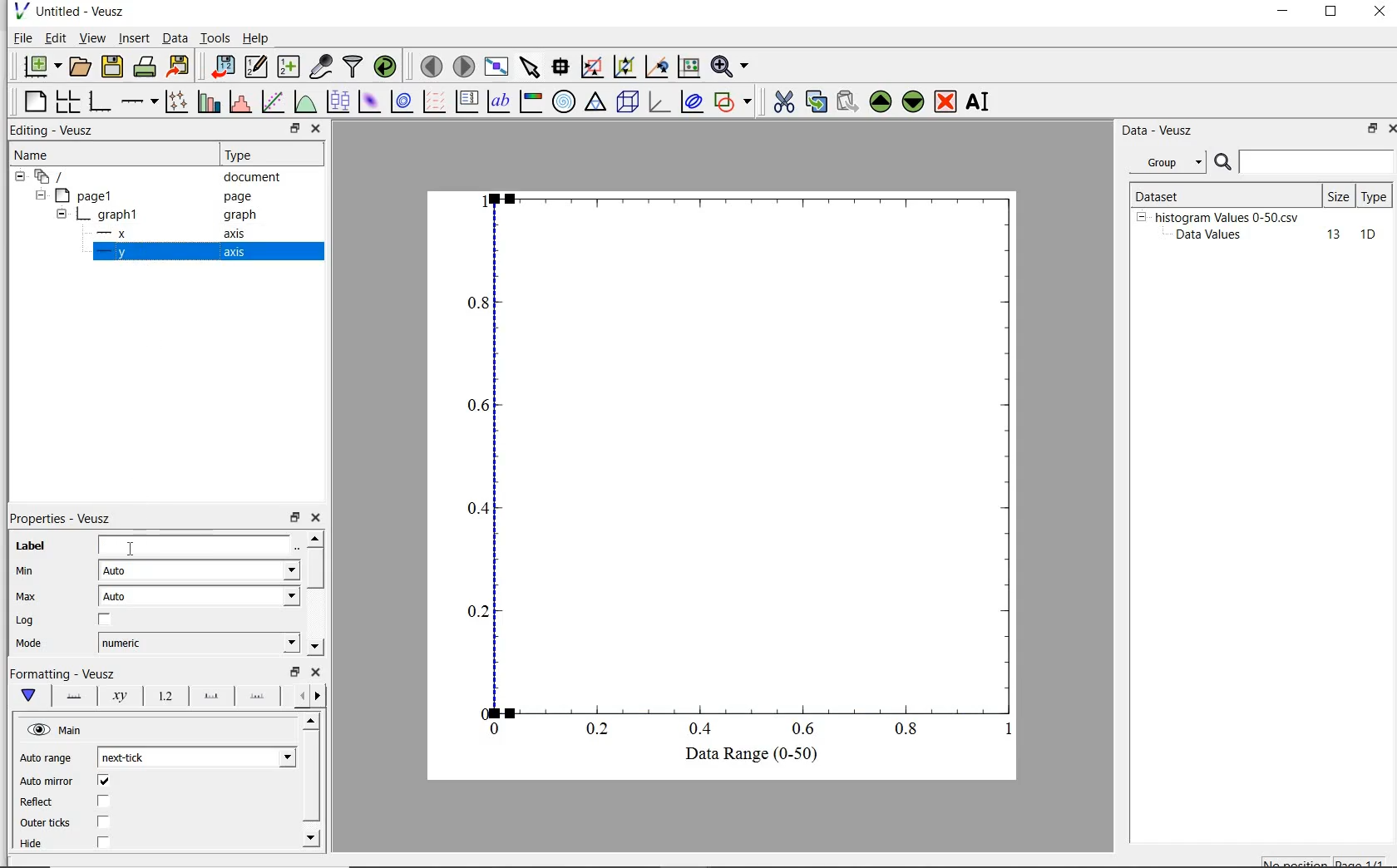 The image size is (1397, 868). Describe the element at coordinates (27, 596) in the screenshot. I see `Max` at that location.